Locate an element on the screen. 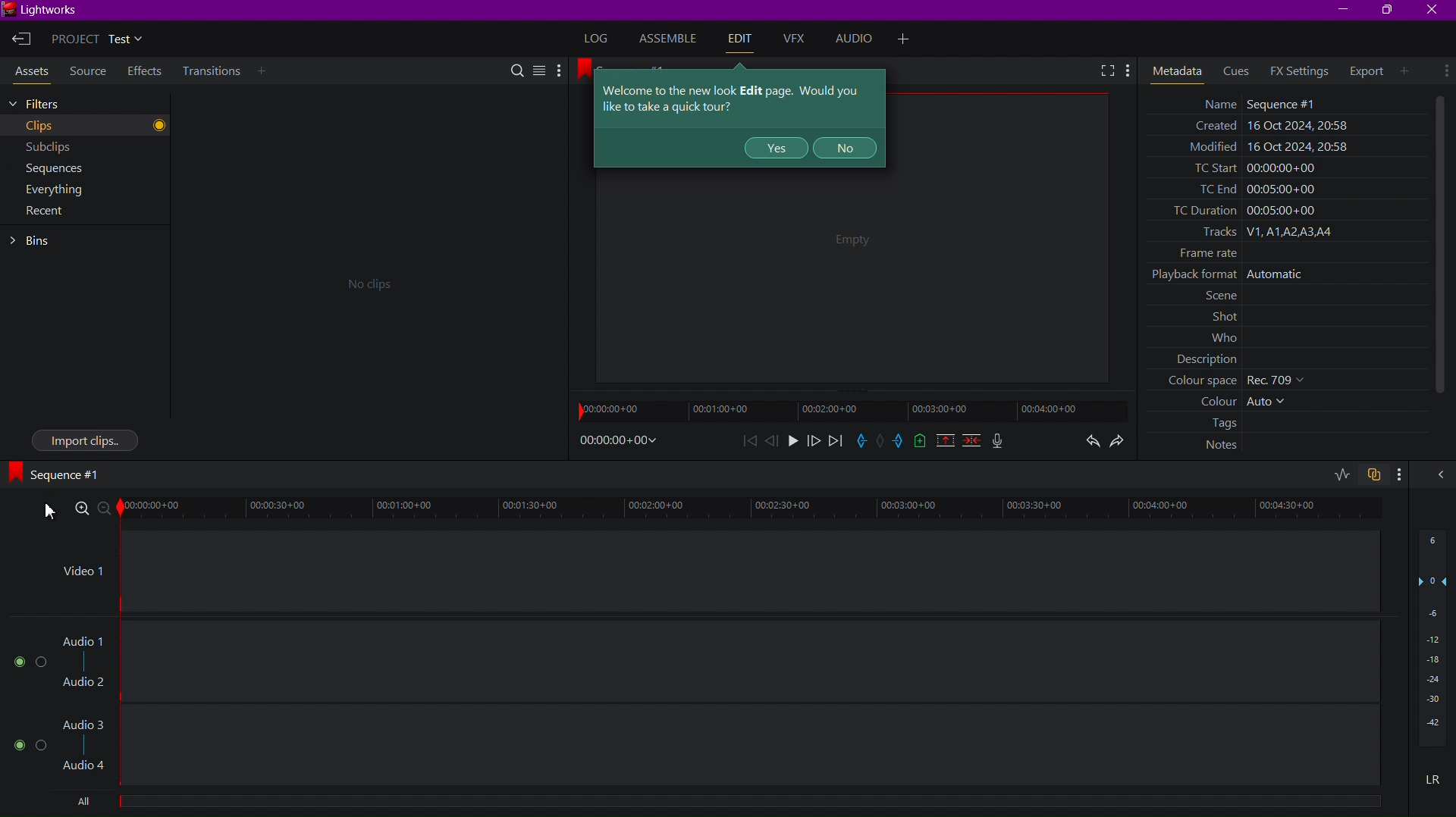  Bins is located at coordinates (31, 243).